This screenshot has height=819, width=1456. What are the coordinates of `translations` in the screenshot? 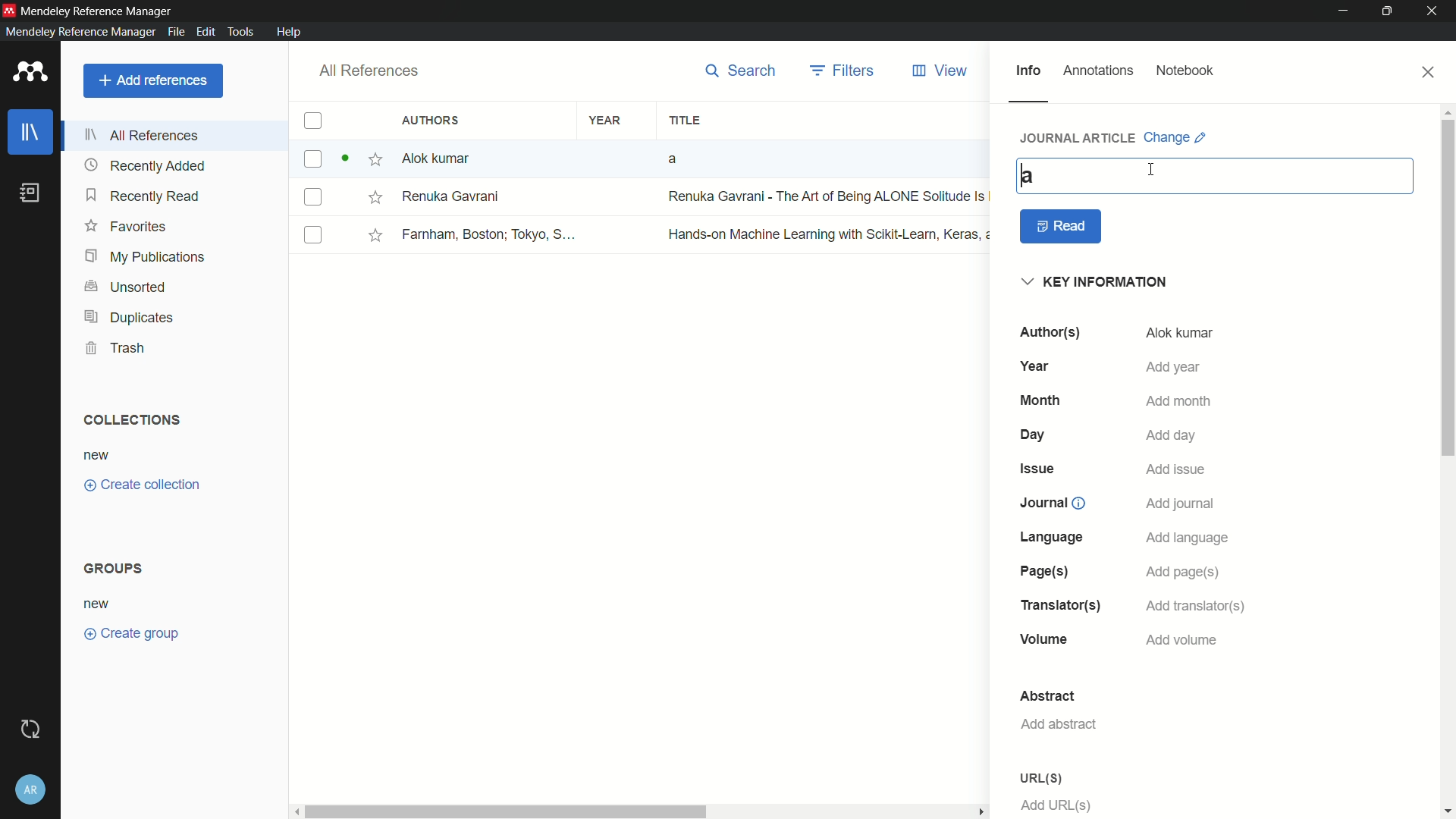 It's located at (1059, 605).